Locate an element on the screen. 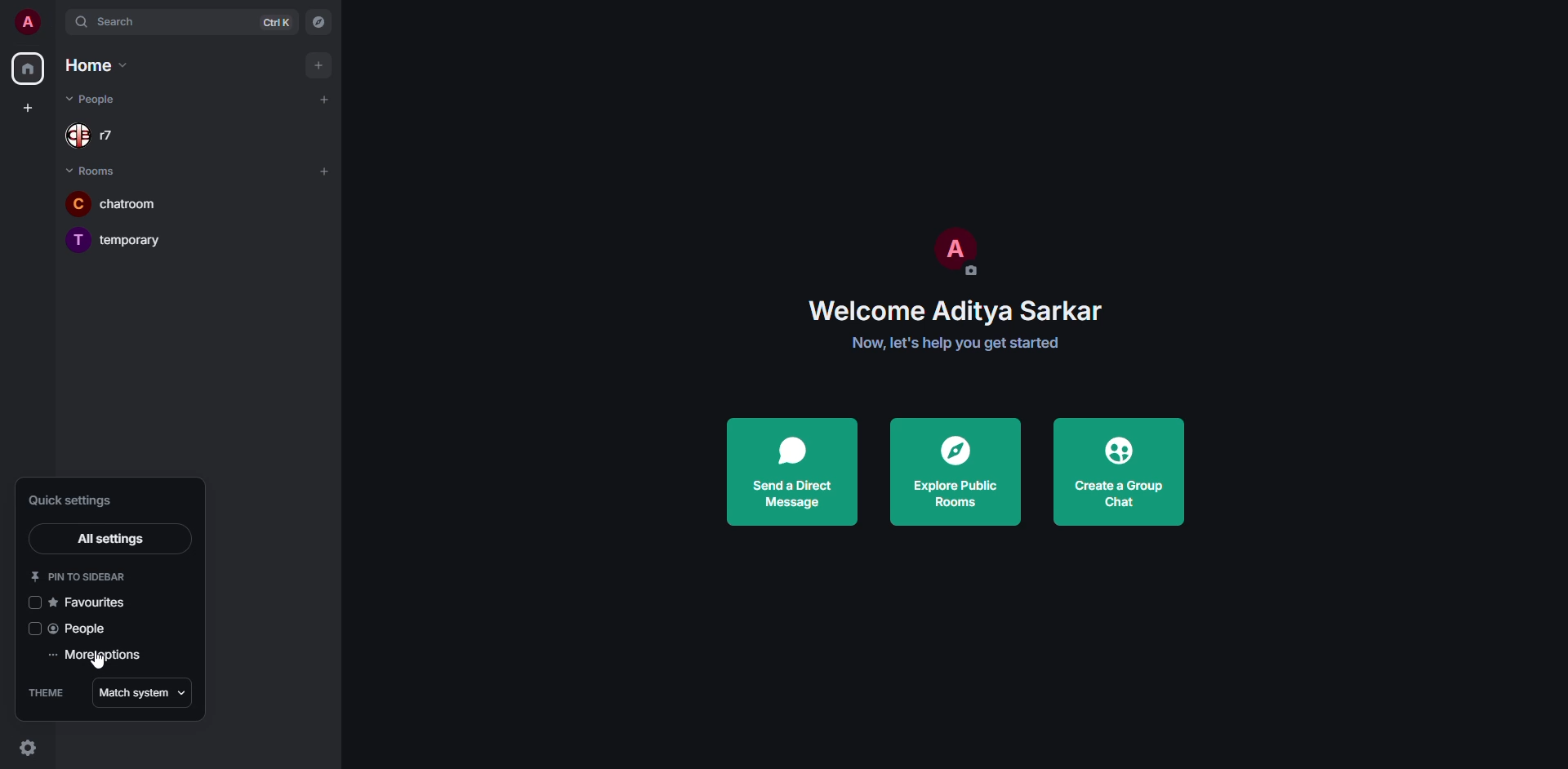  pin to sidebar is located at coordinates (85, 573).